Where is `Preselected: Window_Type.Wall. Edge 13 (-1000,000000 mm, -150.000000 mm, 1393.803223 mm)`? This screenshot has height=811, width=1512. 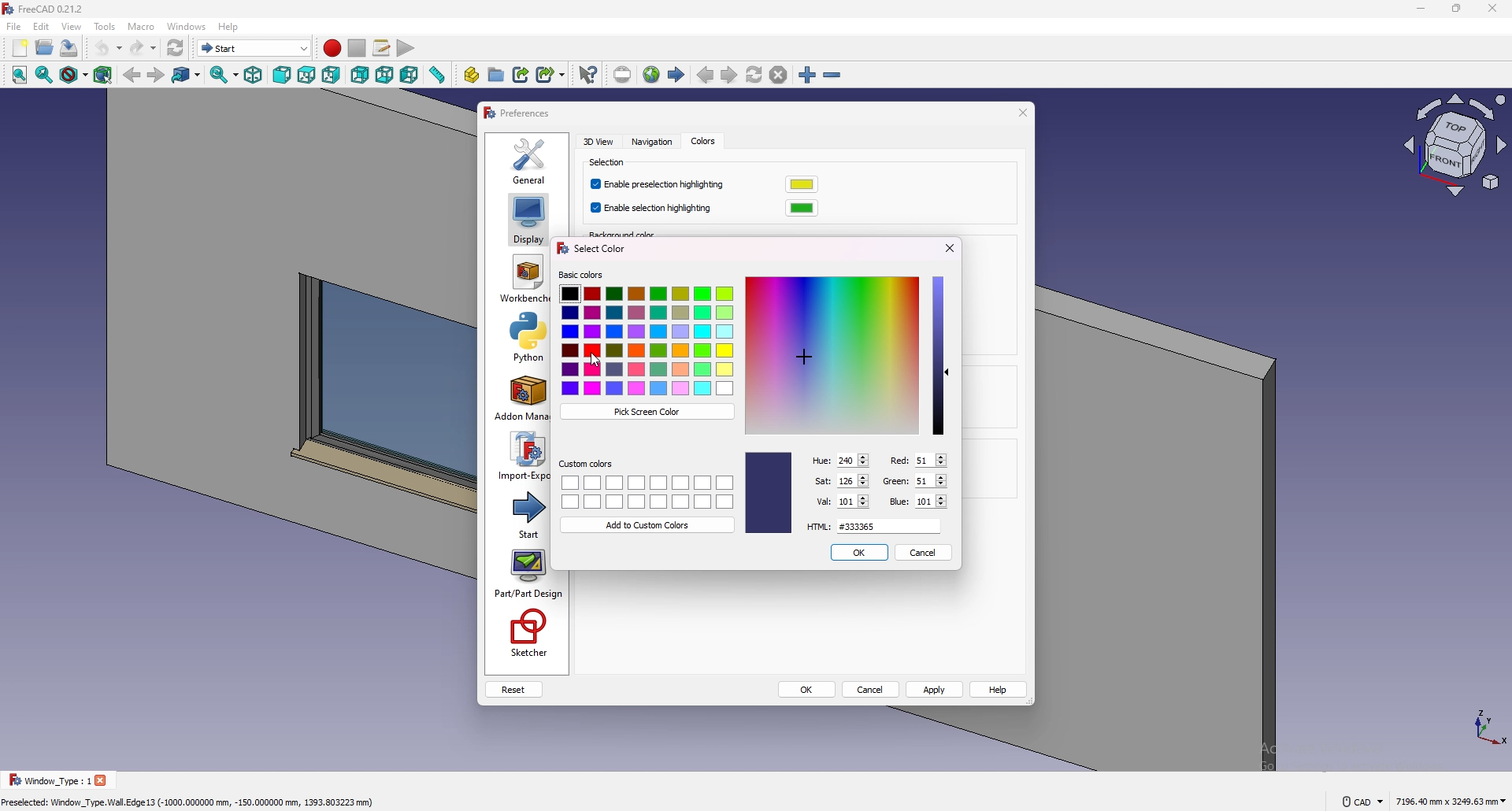
Preselected: Window_Type.Wall. Edge 13 (-1000,000000 mm, -150.000000 mm, 1393.803223 mm) is located at coordinates (191, 800).